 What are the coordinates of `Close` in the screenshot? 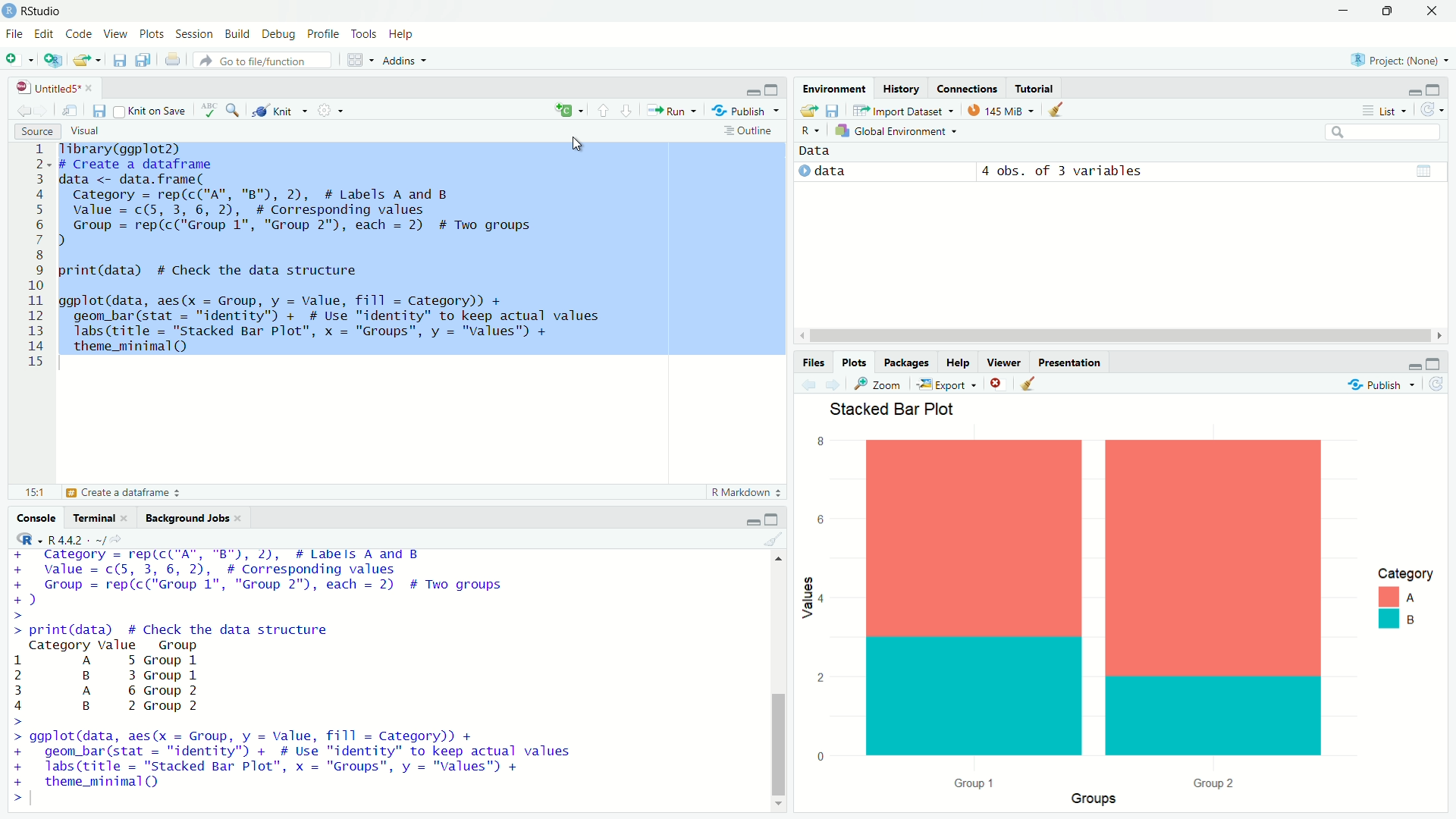 It's located at (999, 384).